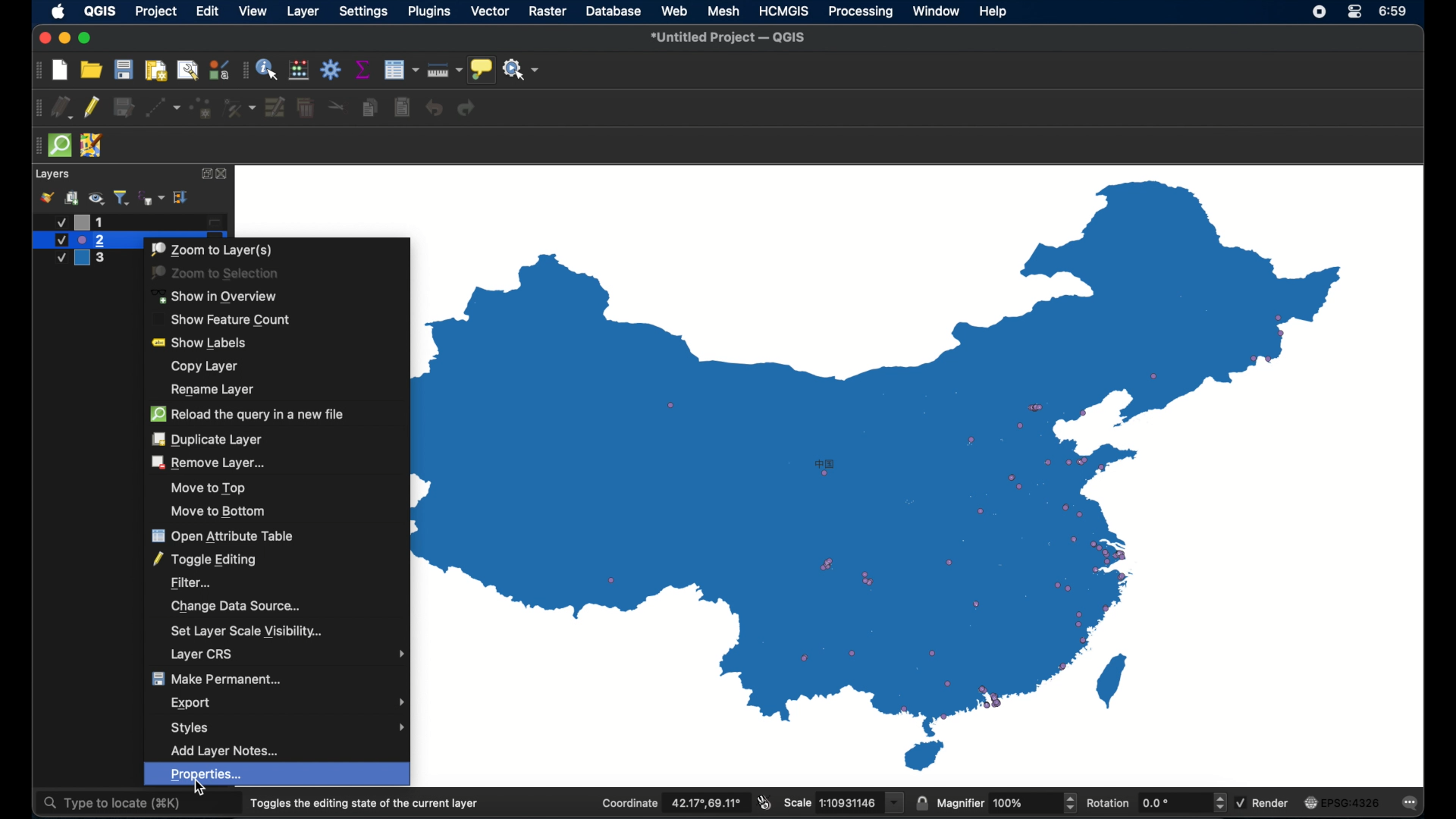  Describe the element at coordinates (240, 108) in the screenshot. I see `vertex tool` at that location.